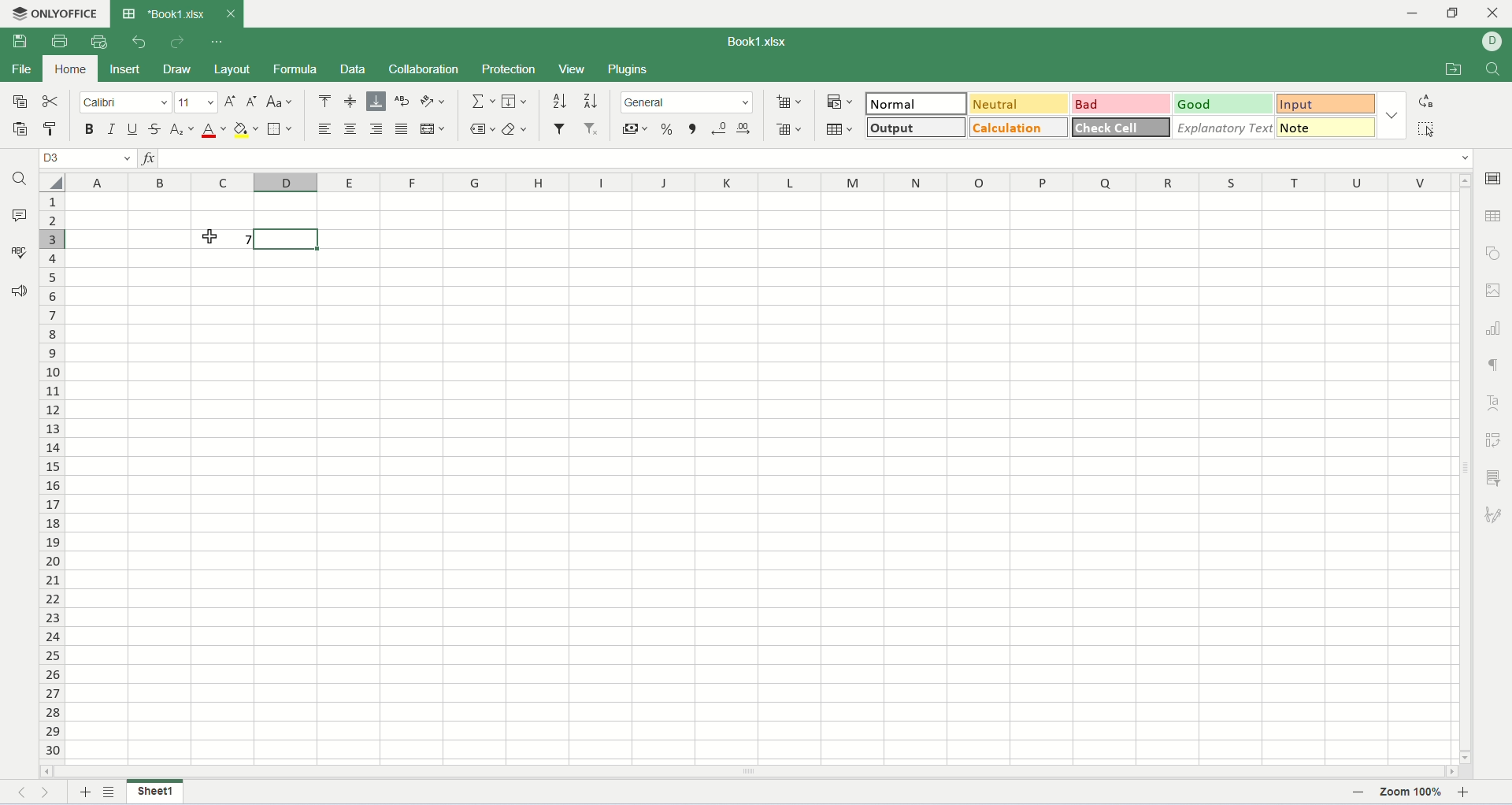 This screenshot has height=805, width=1512. What do you see at coordinates (101, 42) in the screenshot?
I see `quick print` at bounding box center [101, 42].